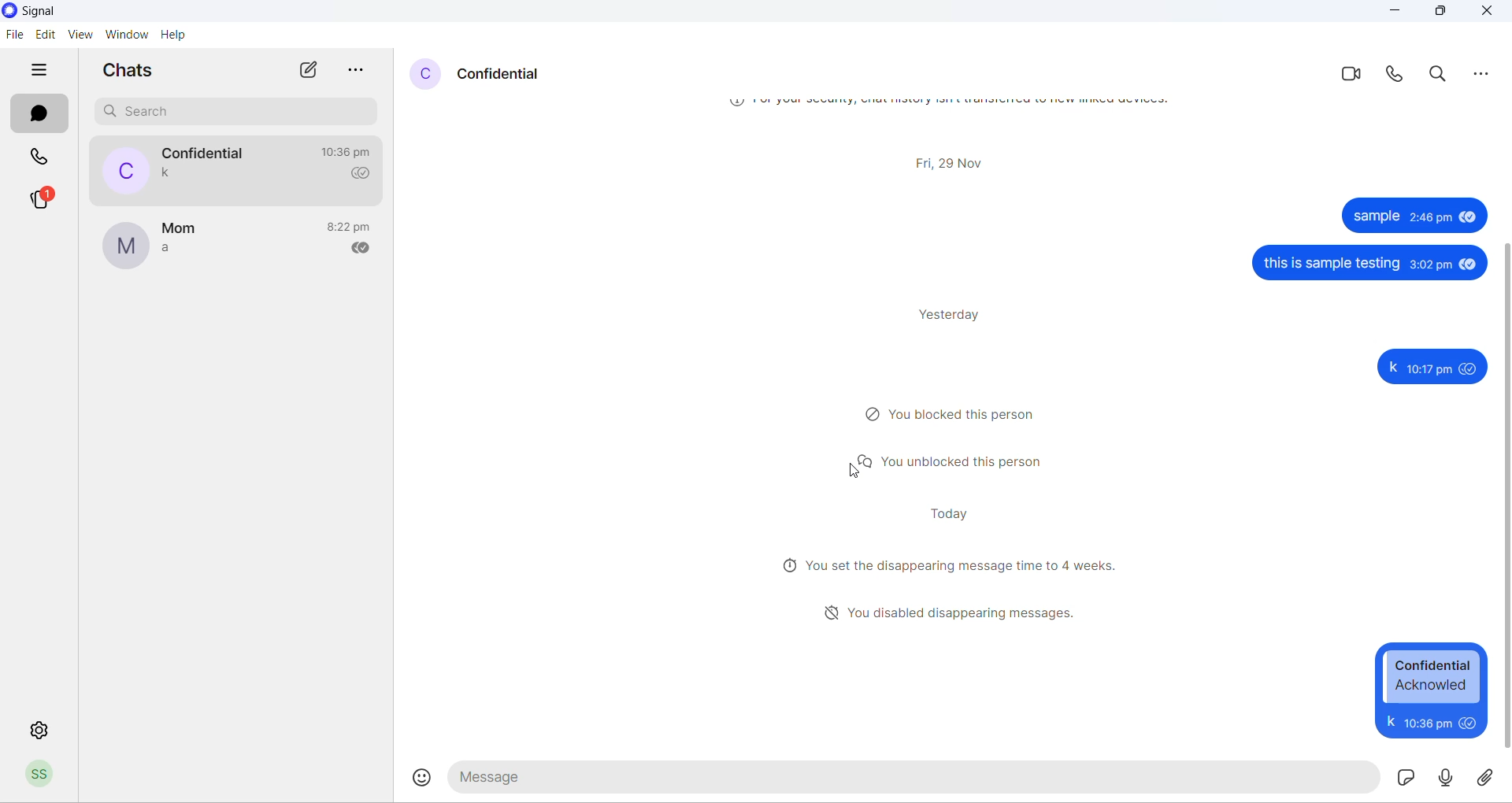 The image size is (1512, 803). Describe the element at coordinates (1330, 265) in the screenshot. I see `this is sample testing` at that location.